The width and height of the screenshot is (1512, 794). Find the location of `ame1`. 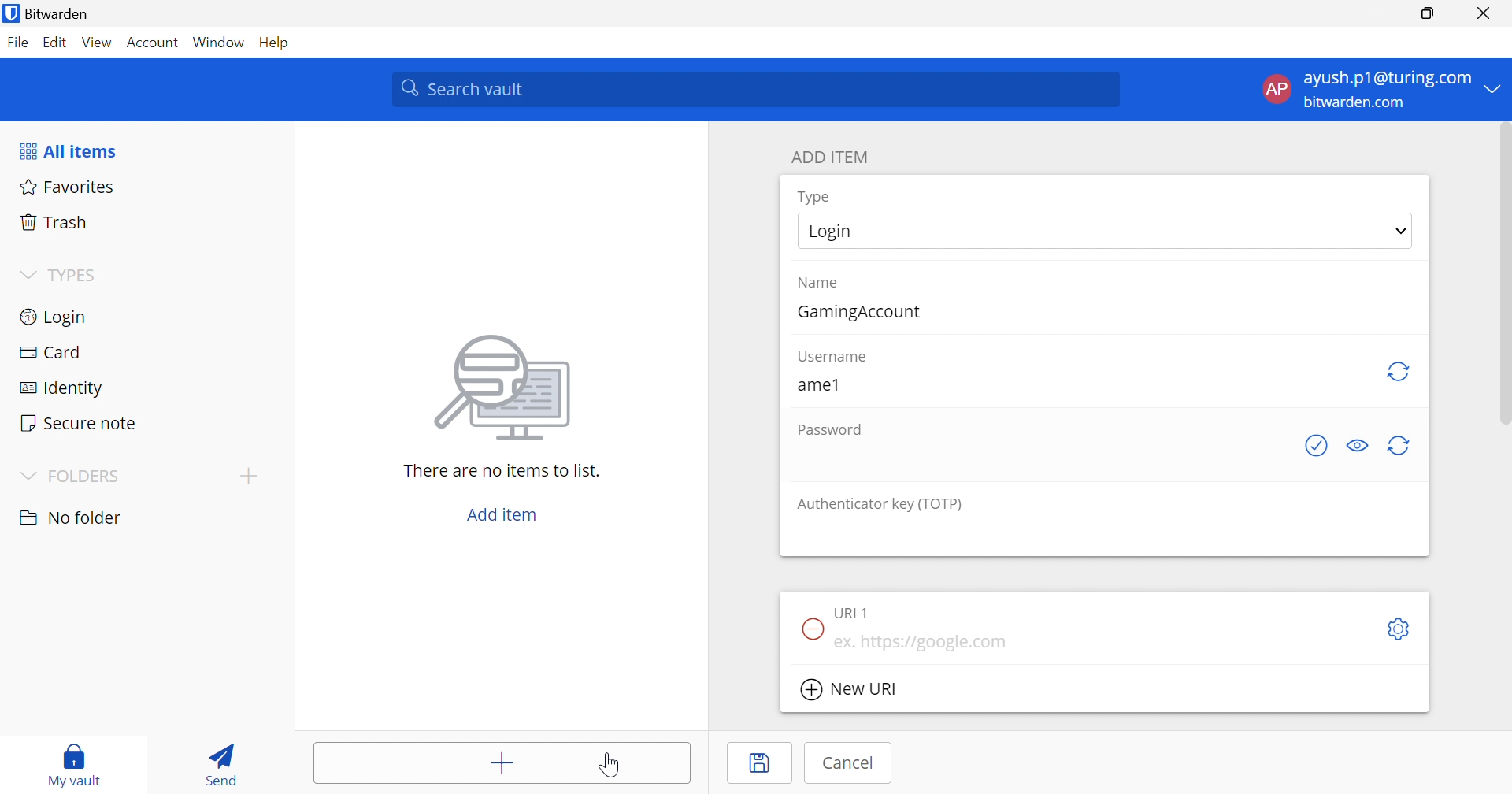

ame1 is located at coordinates (817, 384).